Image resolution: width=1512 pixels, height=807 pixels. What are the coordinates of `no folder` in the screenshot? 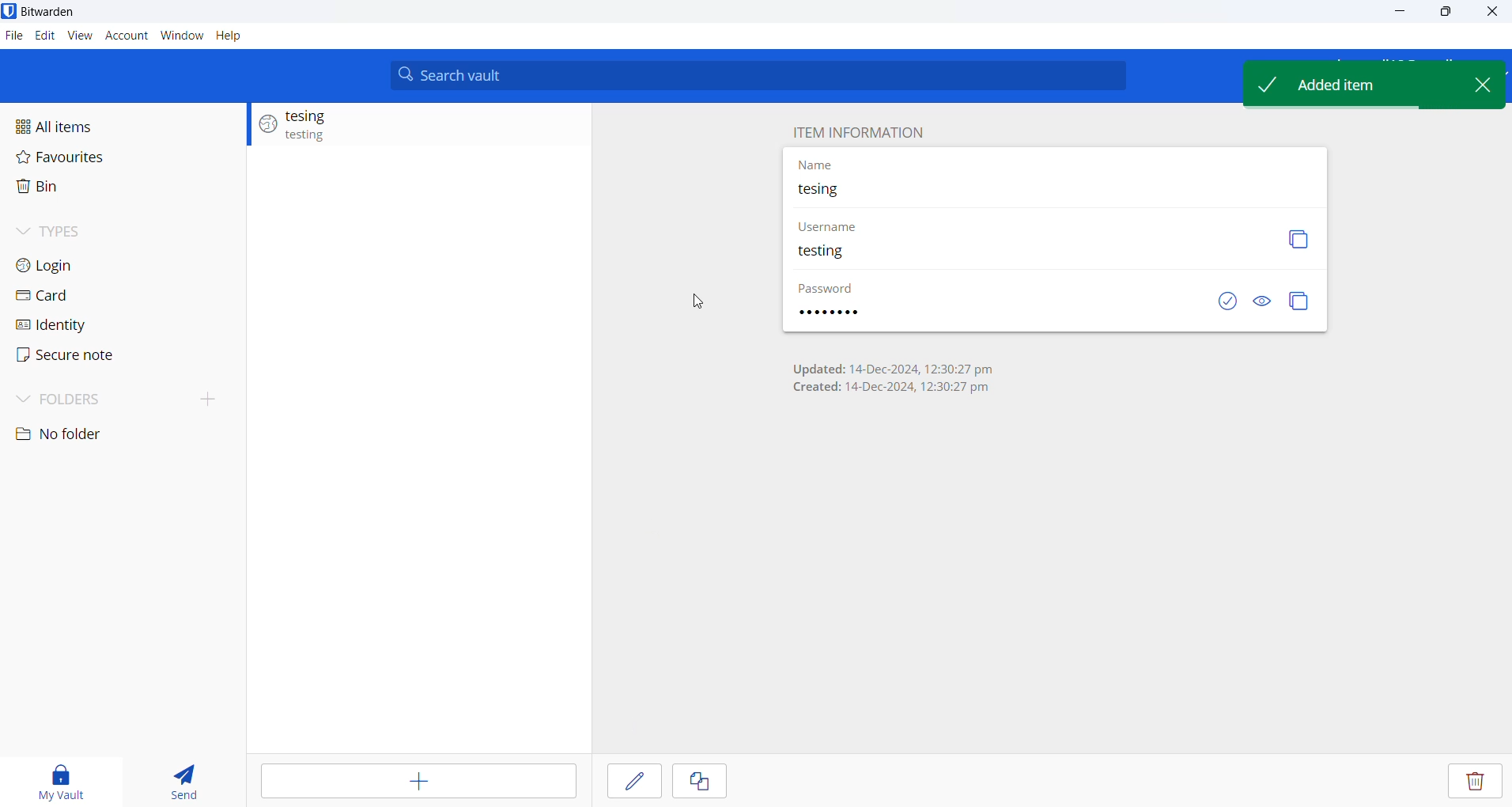 It's located at (108, 434).